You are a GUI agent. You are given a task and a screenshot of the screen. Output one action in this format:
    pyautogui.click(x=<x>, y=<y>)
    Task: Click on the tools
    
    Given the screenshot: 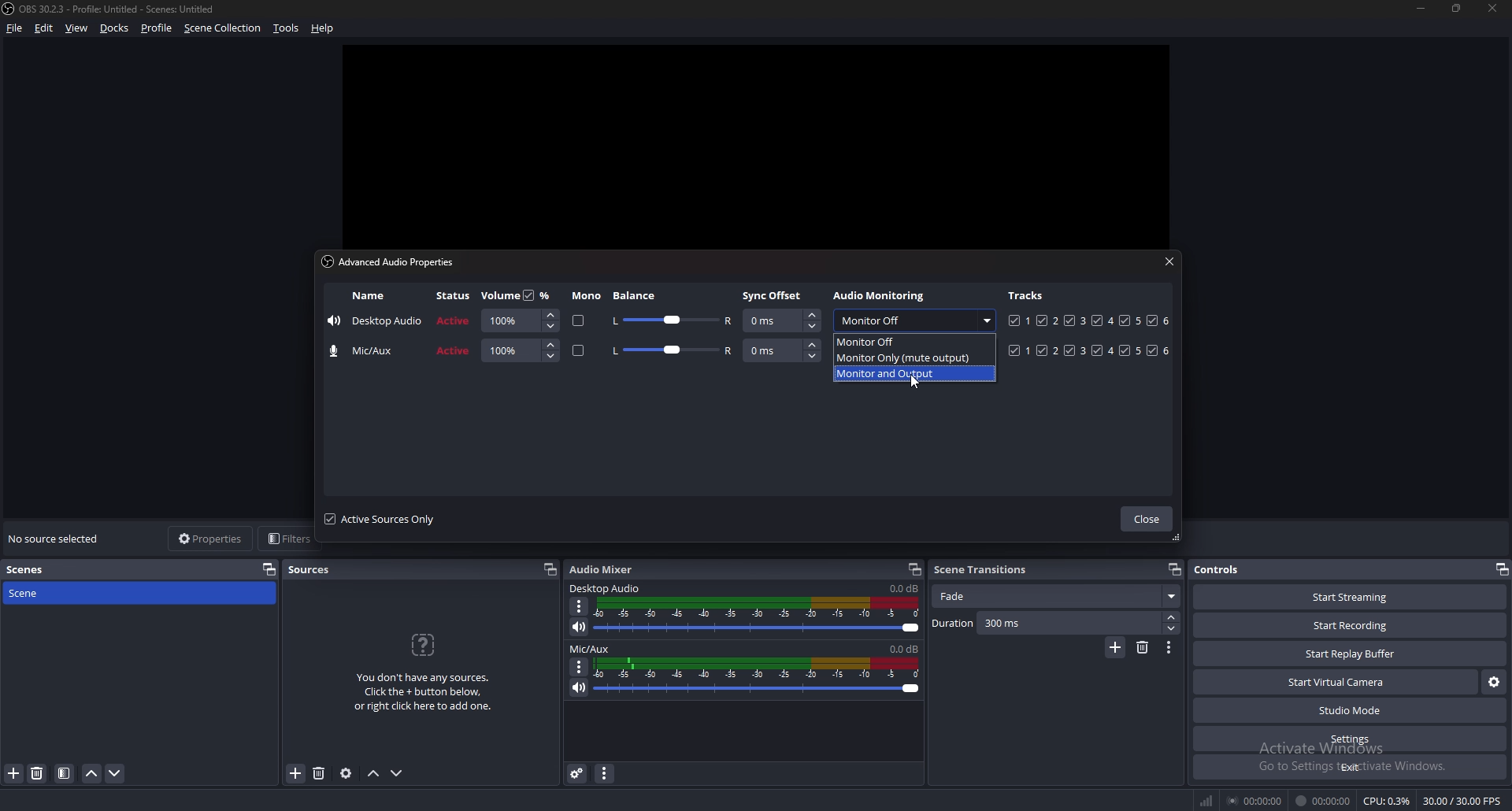 What is the action you would take?
    pyautogui.click(x=287, y=28)
    